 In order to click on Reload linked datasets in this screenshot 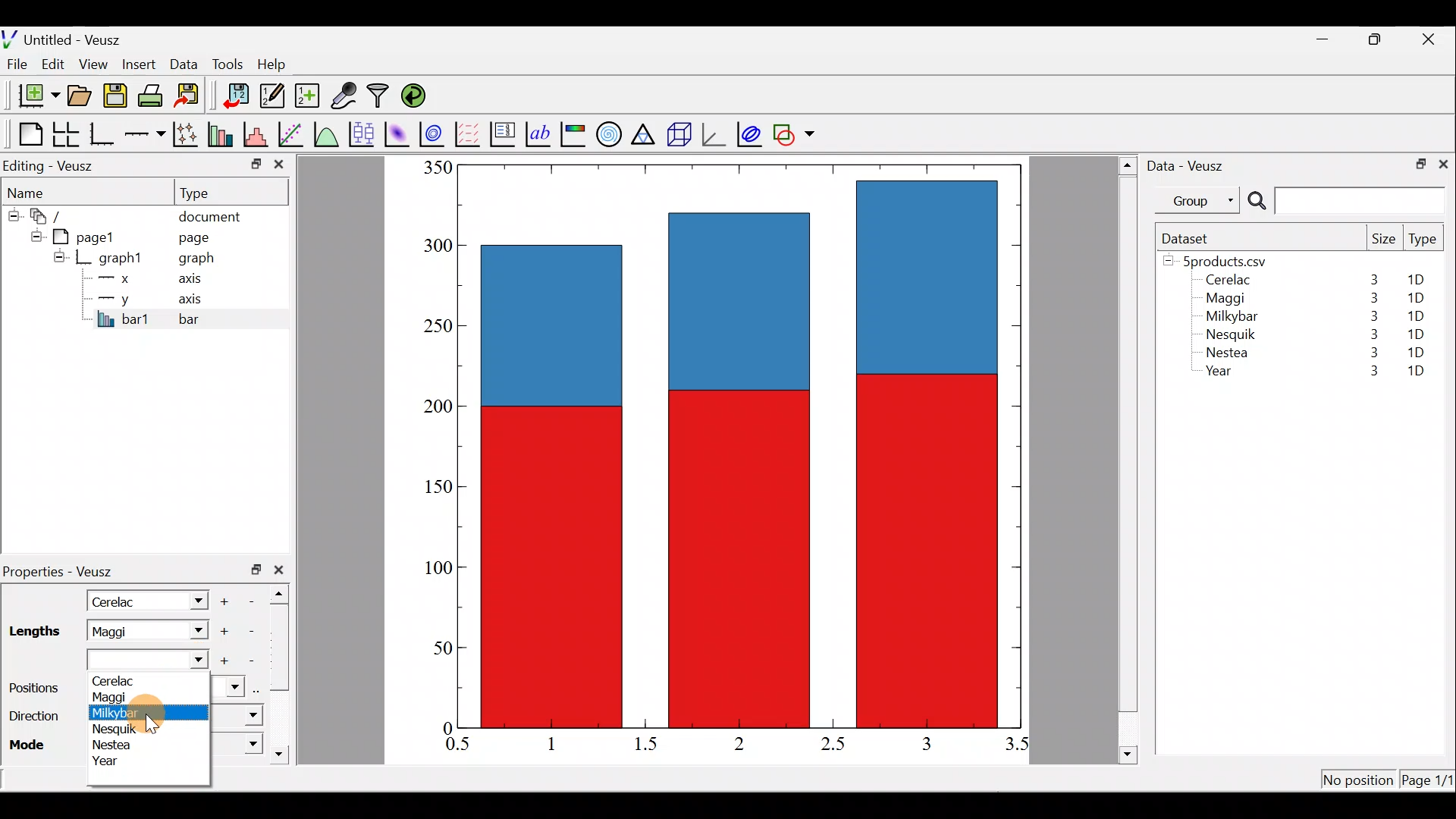, I will do `click(417, 95)`.